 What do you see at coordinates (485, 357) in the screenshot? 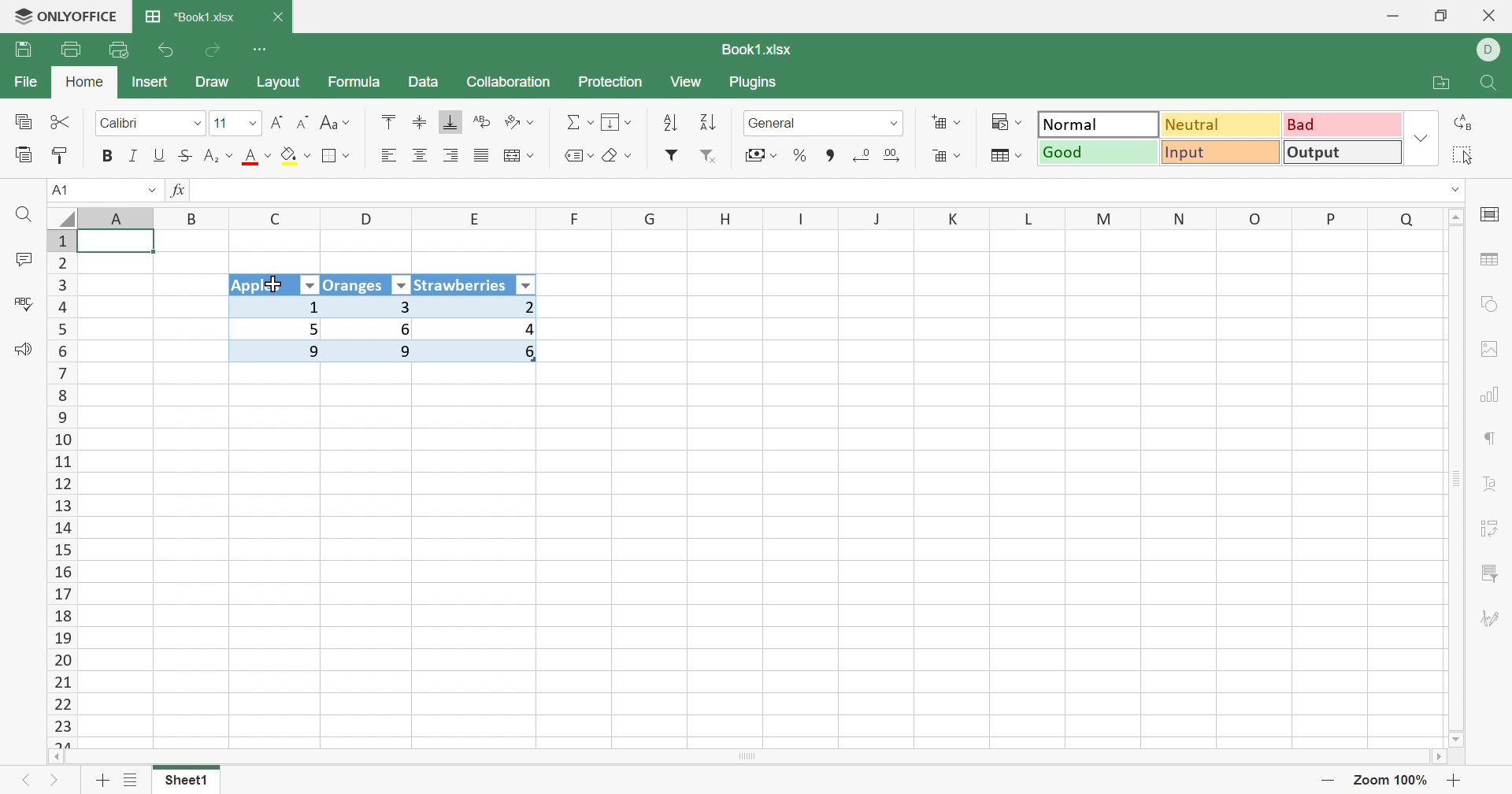
I see `6` at bounding box center [485, 357].